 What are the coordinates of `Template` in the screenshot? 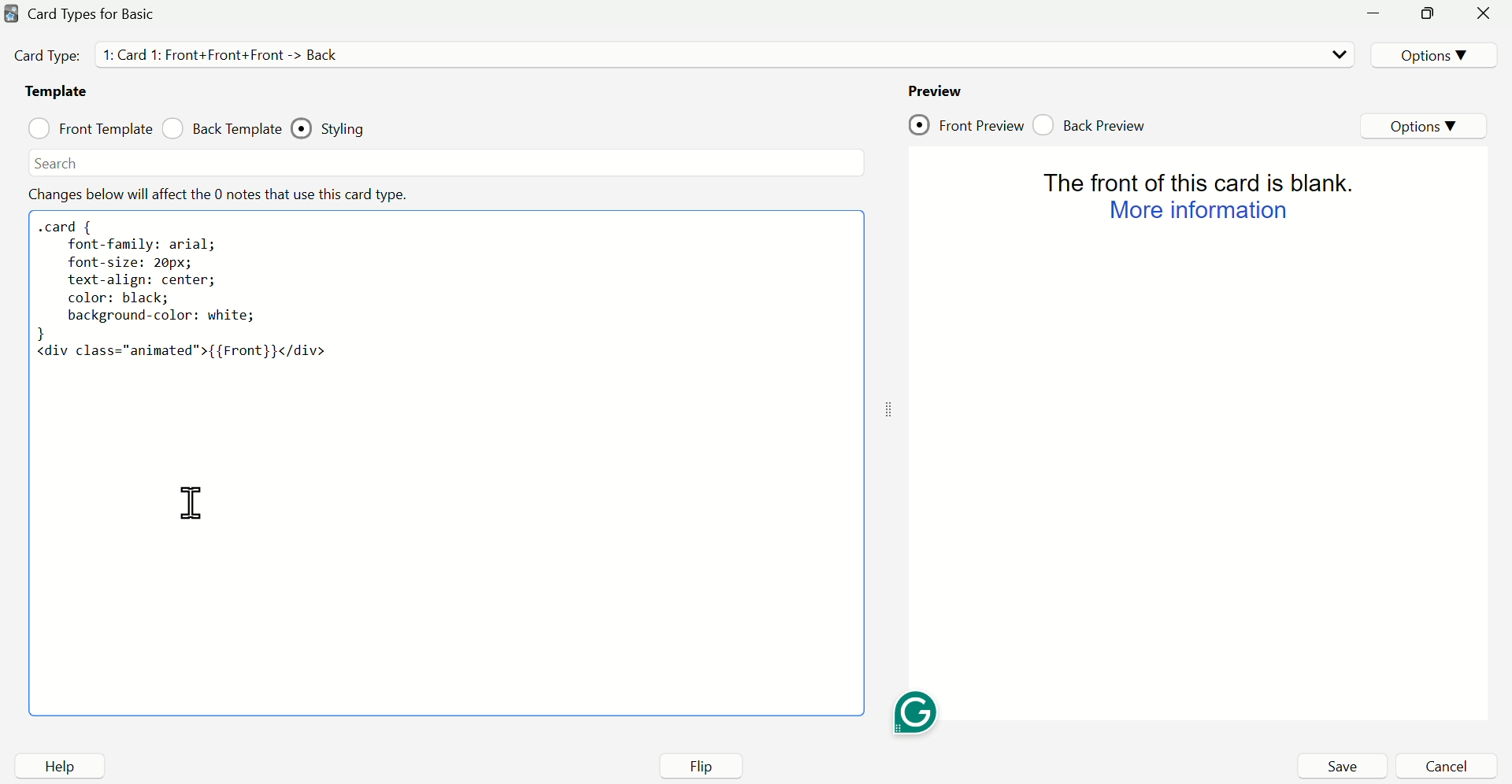 It's located at (57, 94).